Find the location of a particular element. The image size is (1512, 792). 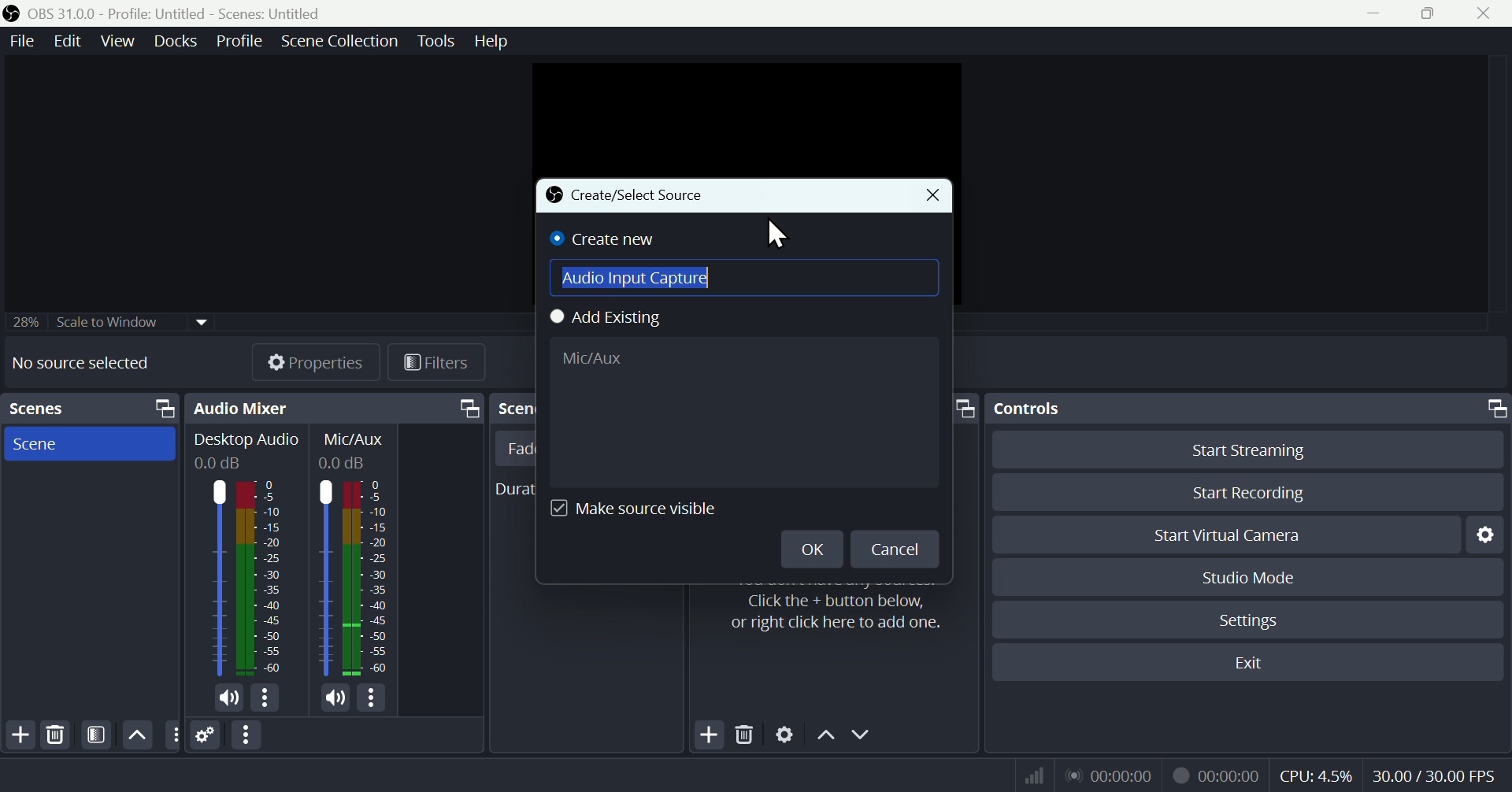

FILTER is located at coordinates (94, 735).